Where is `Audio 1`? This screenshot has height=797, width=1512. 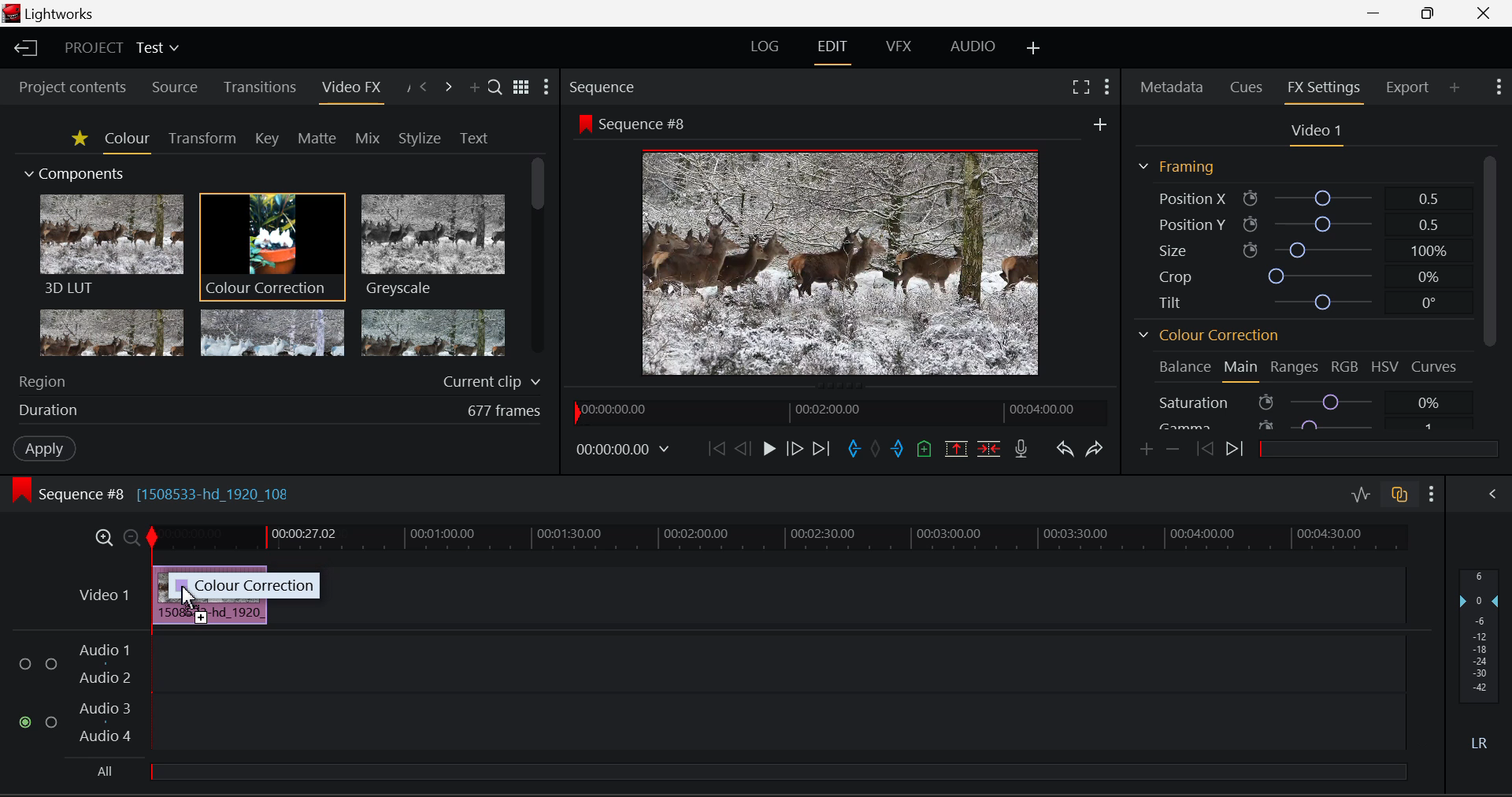 Audio 1 is located at coordinates (104, 651).